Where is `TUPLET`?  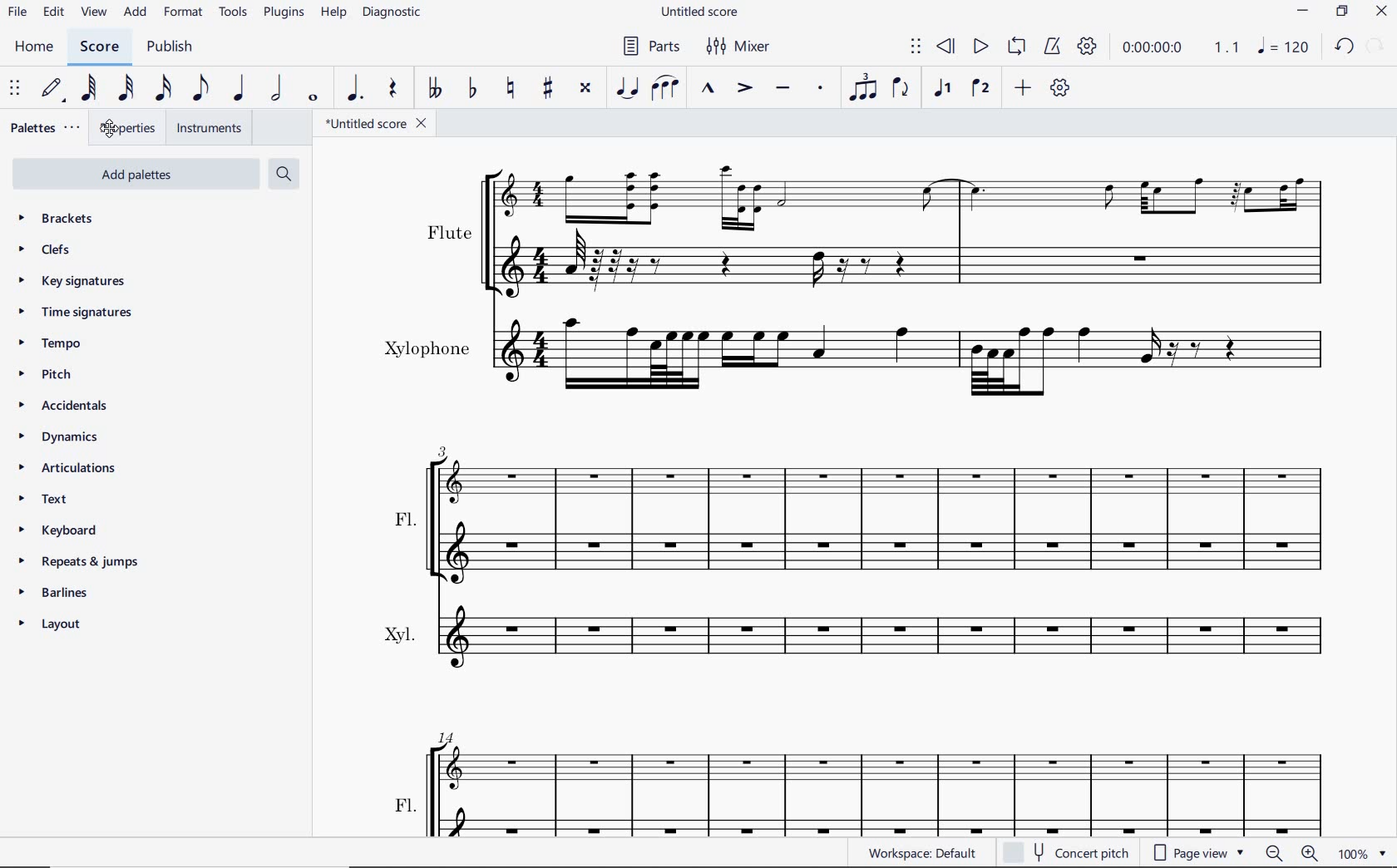 TUPLET is located at coordinates (864, 86).